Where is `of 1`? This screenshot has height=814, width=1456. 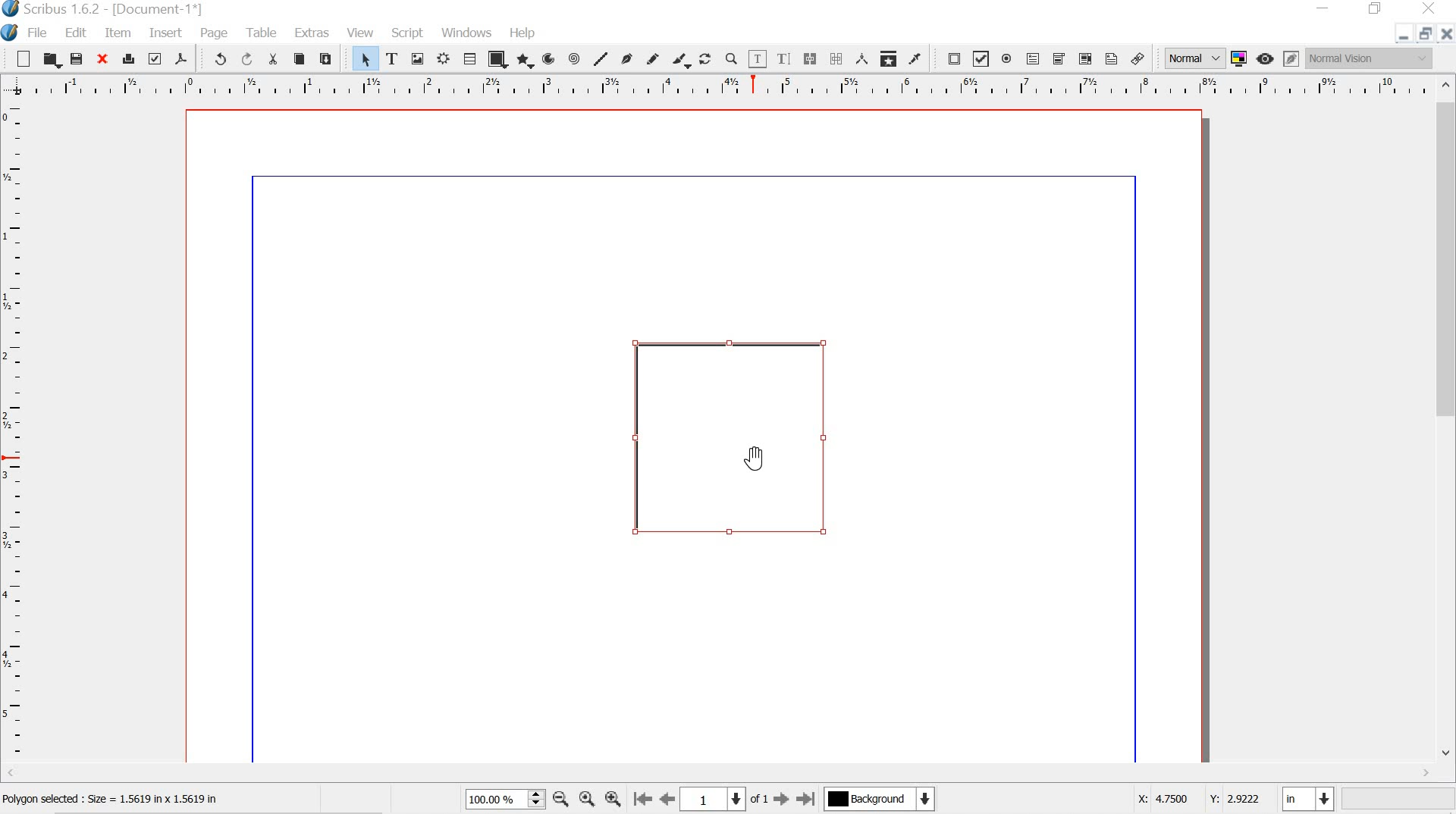
of 1 is located at coordinates (759, 800).